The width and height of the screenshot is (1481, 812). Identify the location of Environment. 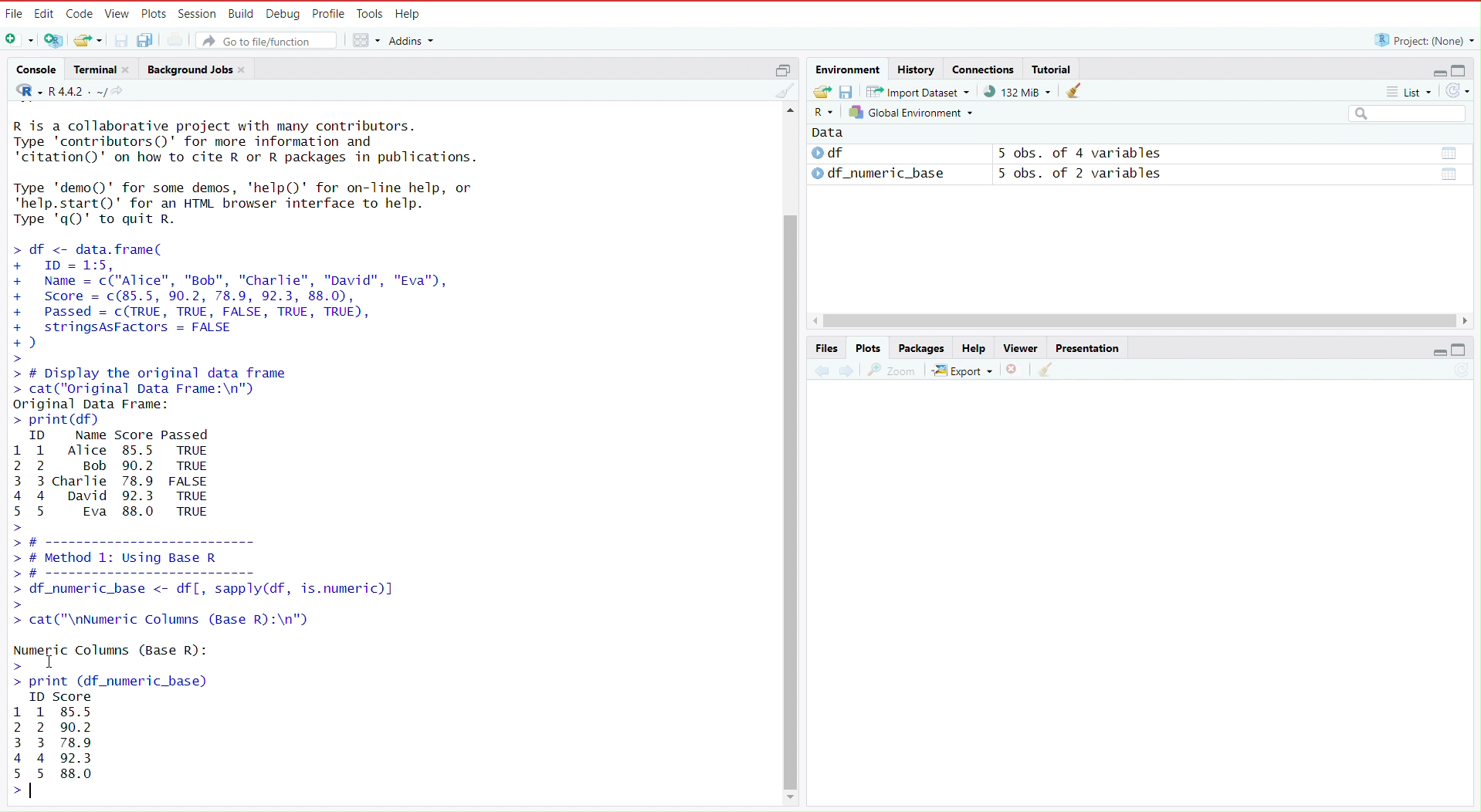
(849, 67).